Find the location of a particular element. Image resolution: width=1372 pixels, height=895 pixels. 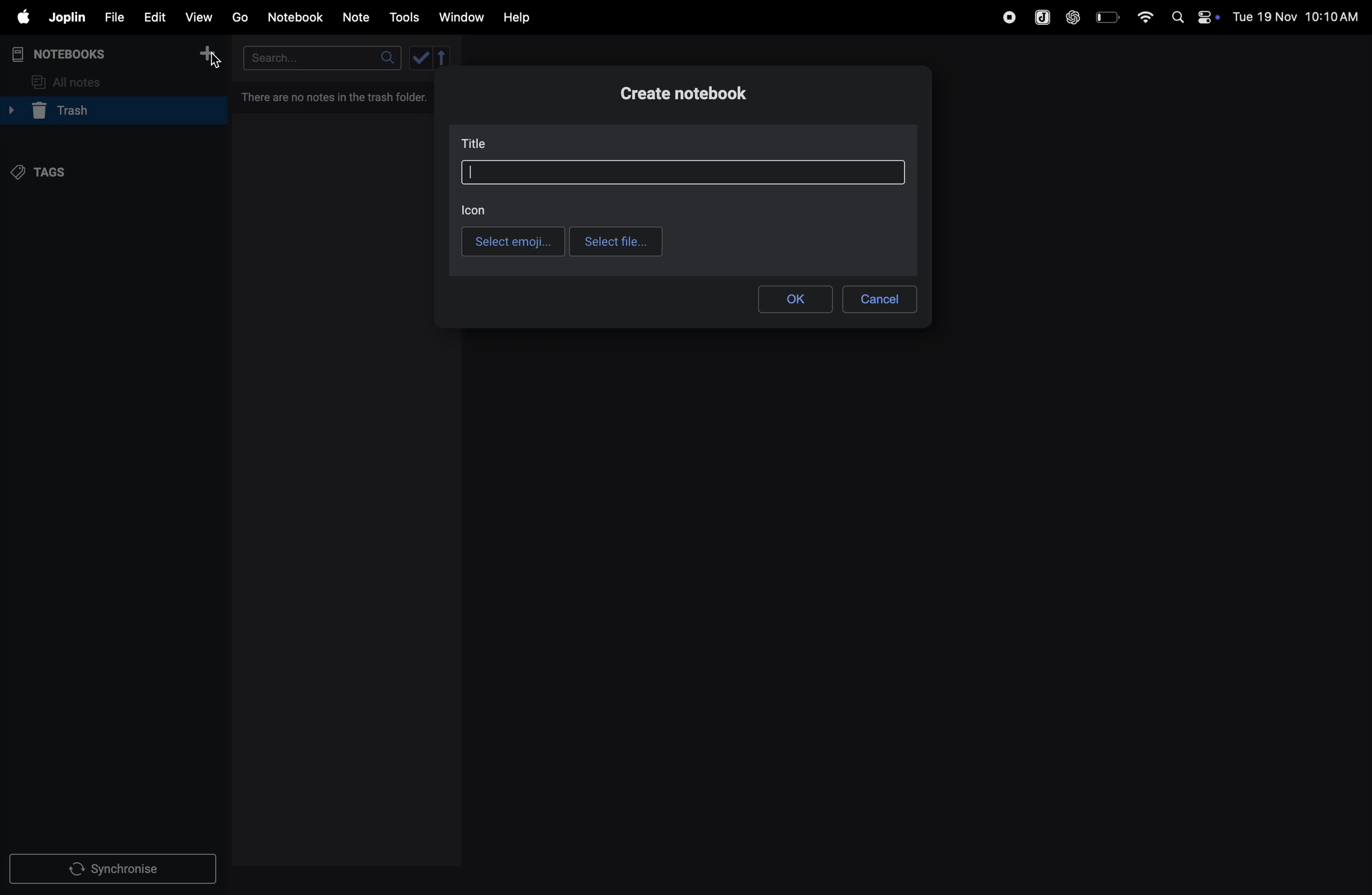

view is located at coordinates (201, 16).